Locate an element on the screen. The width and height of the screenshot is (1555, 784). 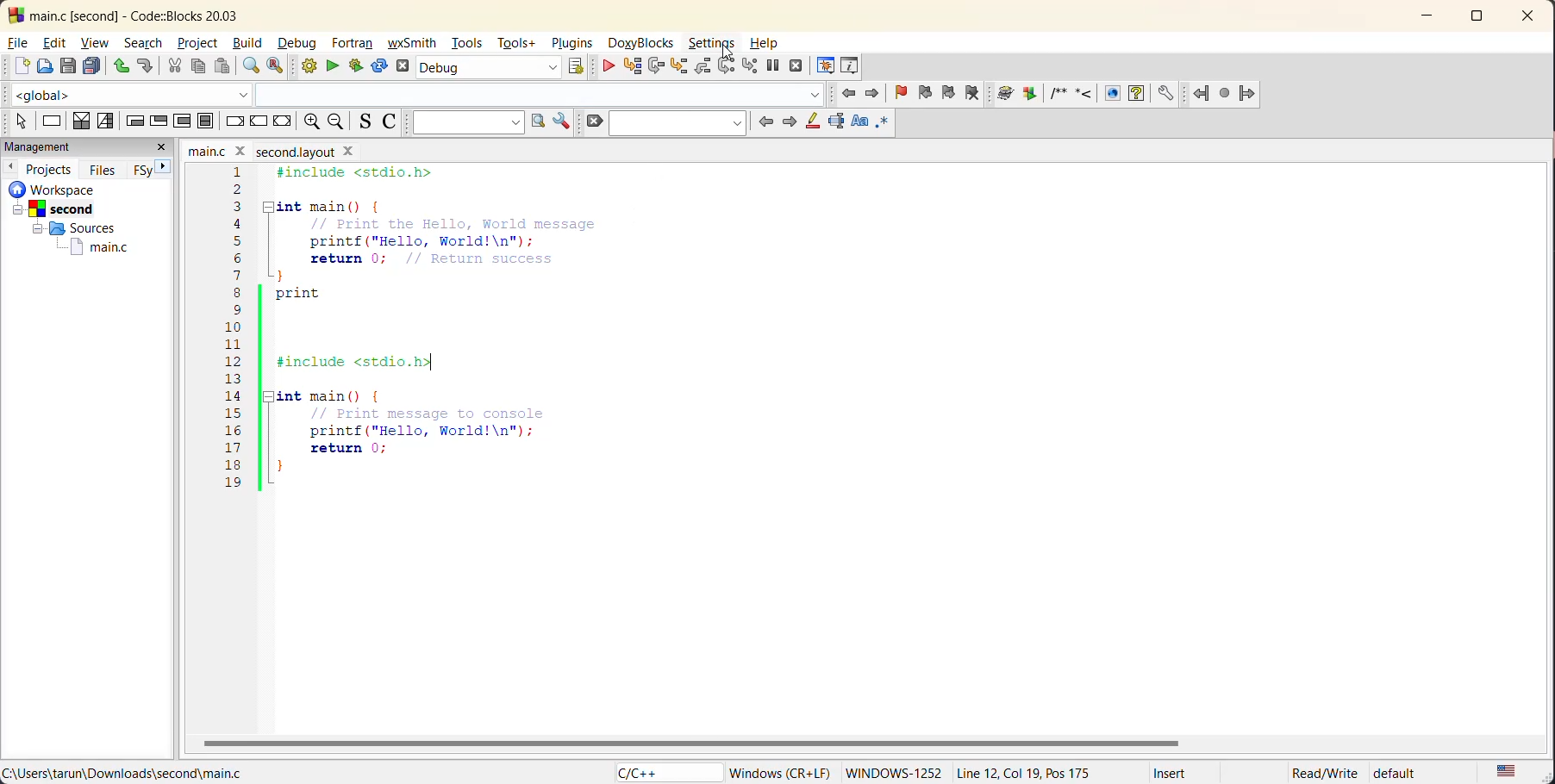
minimize is located at coordinates (1427, 17).